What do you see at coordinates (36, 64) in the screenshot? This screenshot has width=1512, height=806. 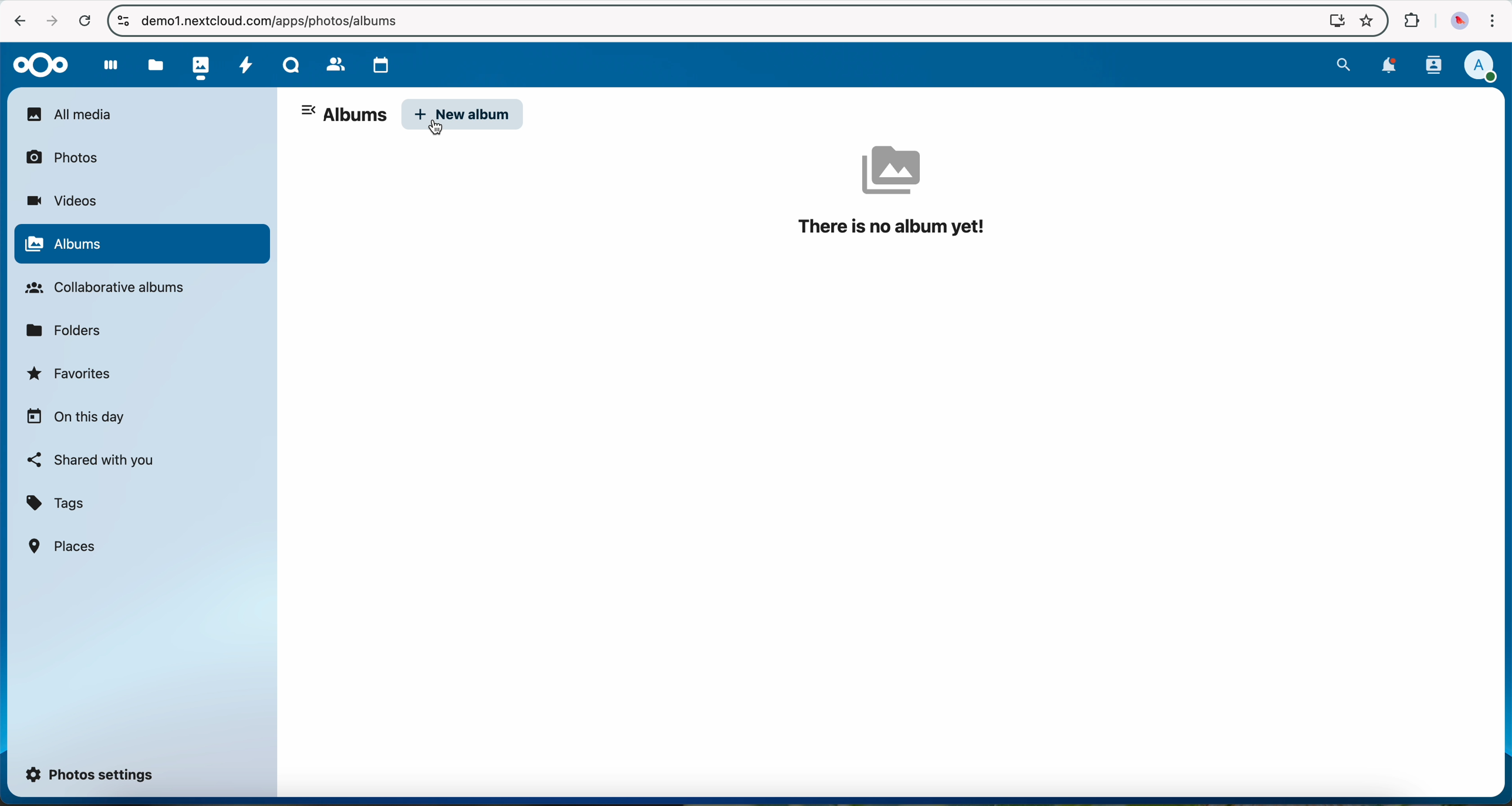 I see `Nextcloud logo` at bounding box center [36, 64].